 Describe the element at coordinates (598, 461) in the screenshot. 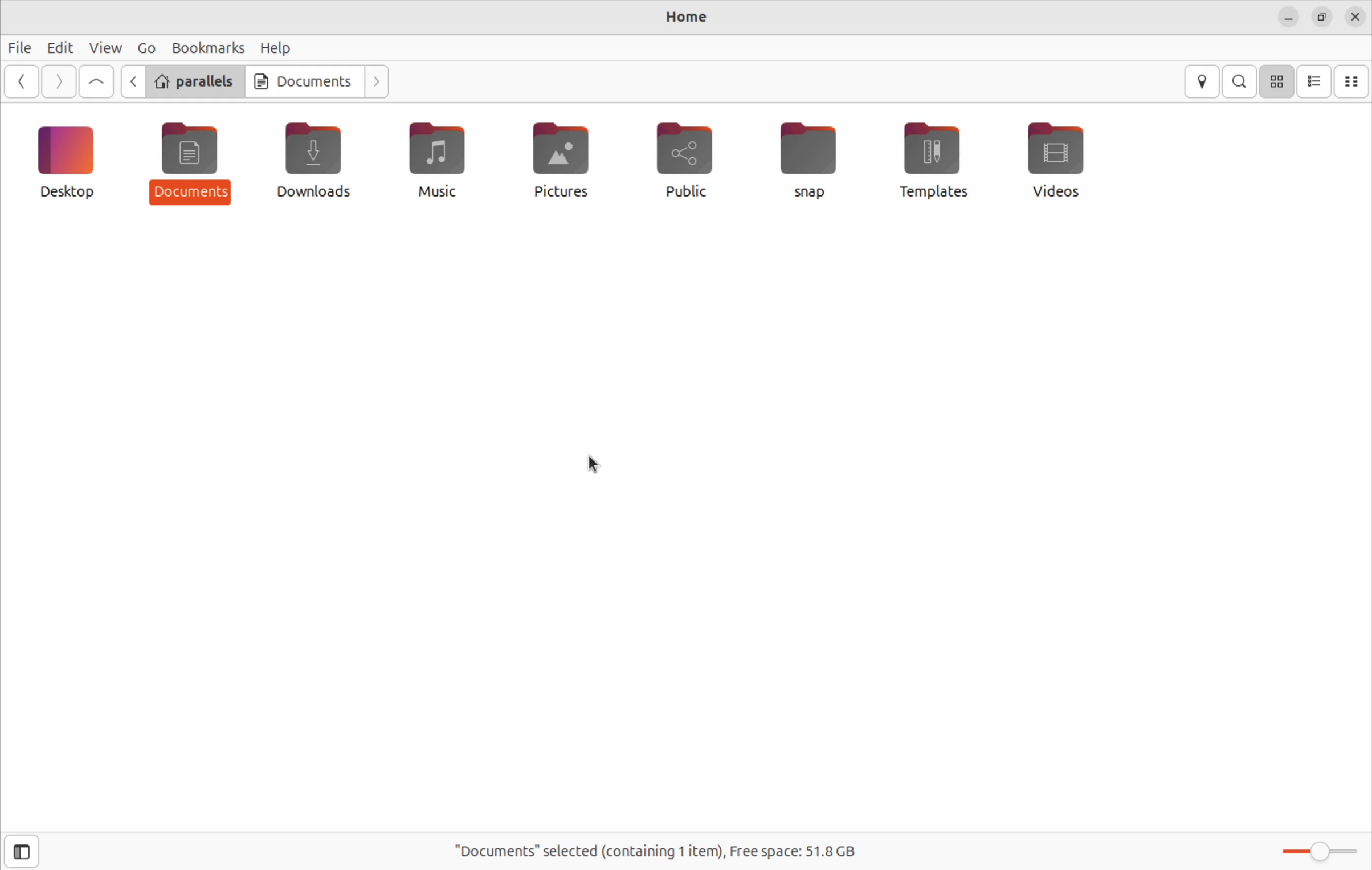

I see `cursor` at that location.